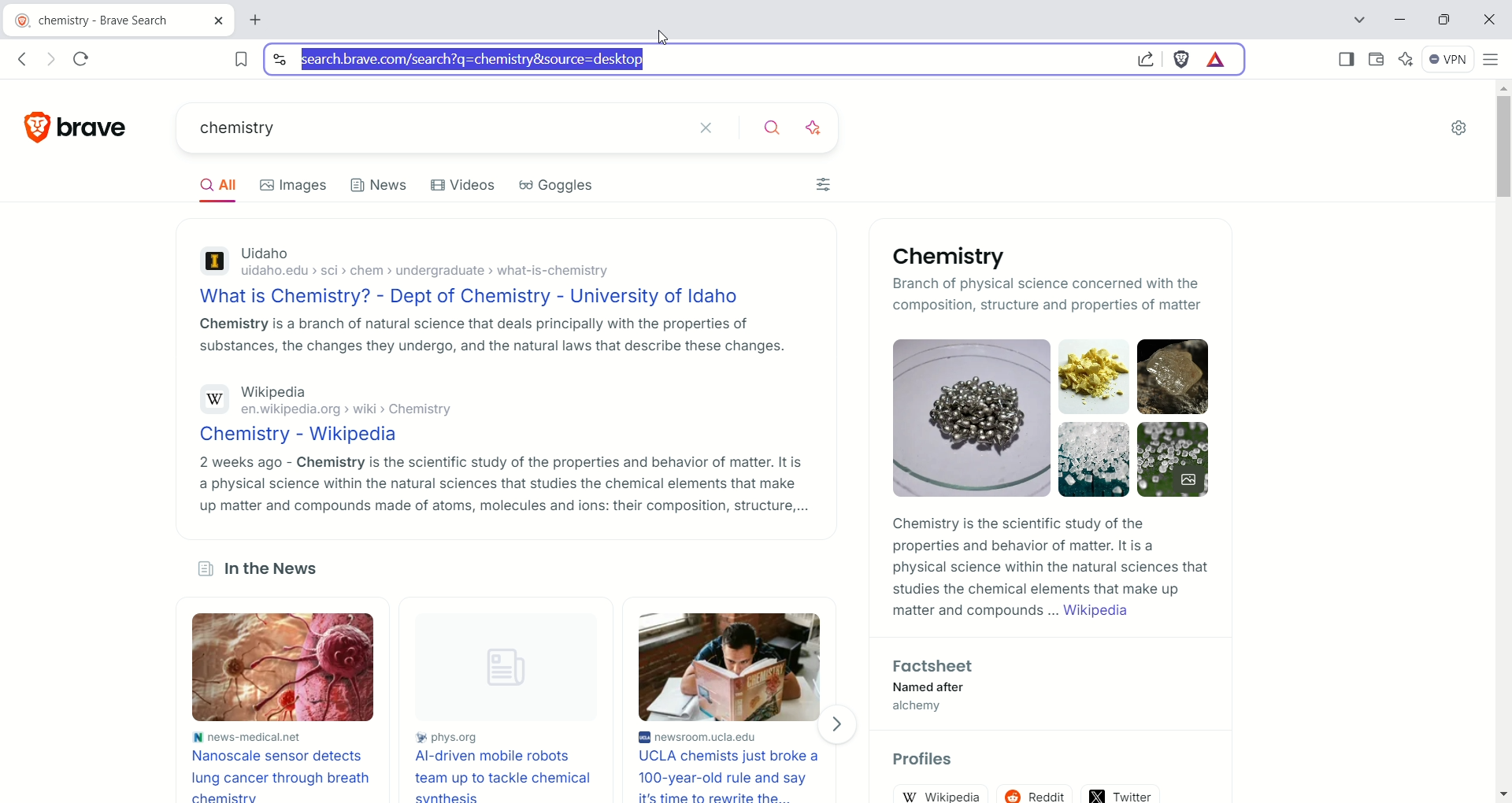 The height and width of the screenshot is (803, 1512). I want to click on 2 weeks ago - Chemistry is the scientific study of the properties and behavior of matter. It is a physical science within the natural sciences that studies the chemical elements that make up matter and compounds made of atoms, molecules and ions: their composition, structure,..., so click(502, 484).